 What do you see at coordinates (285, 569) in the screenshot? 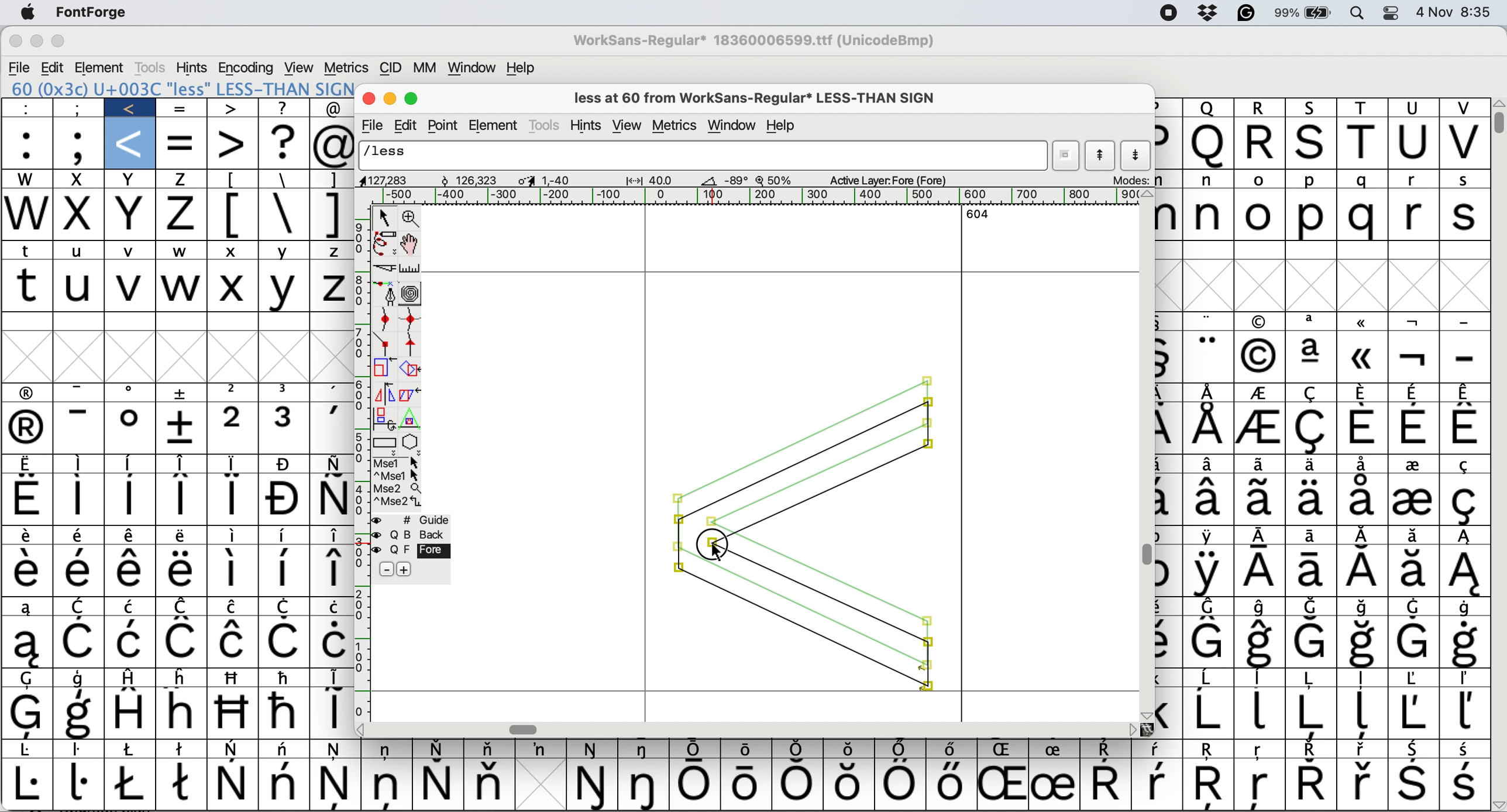
I see `Symbol` at bounding box center [285, 569].